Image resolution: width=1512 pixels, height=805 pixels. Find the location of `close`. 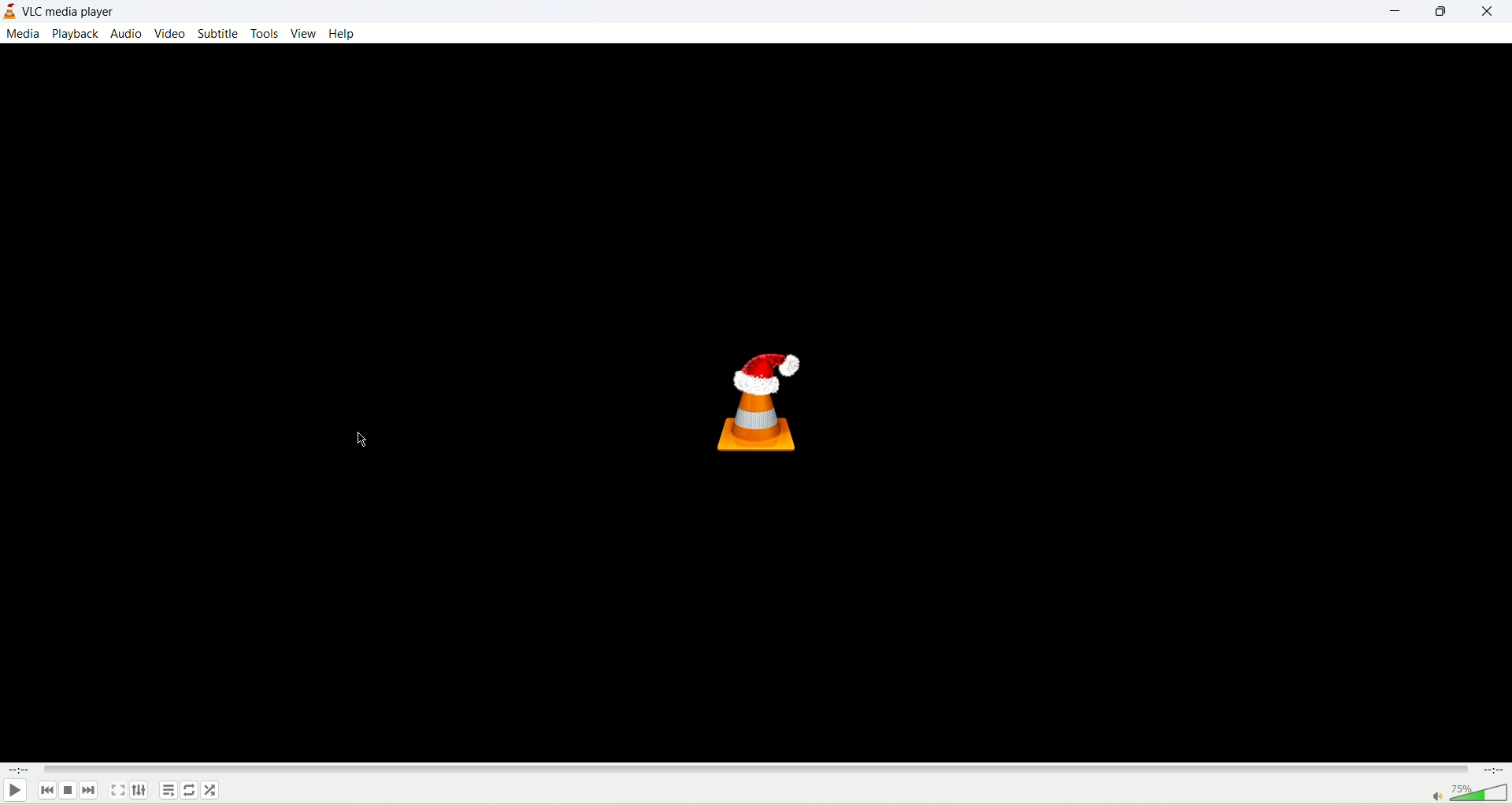

close is located at coordinates (1492, 16).